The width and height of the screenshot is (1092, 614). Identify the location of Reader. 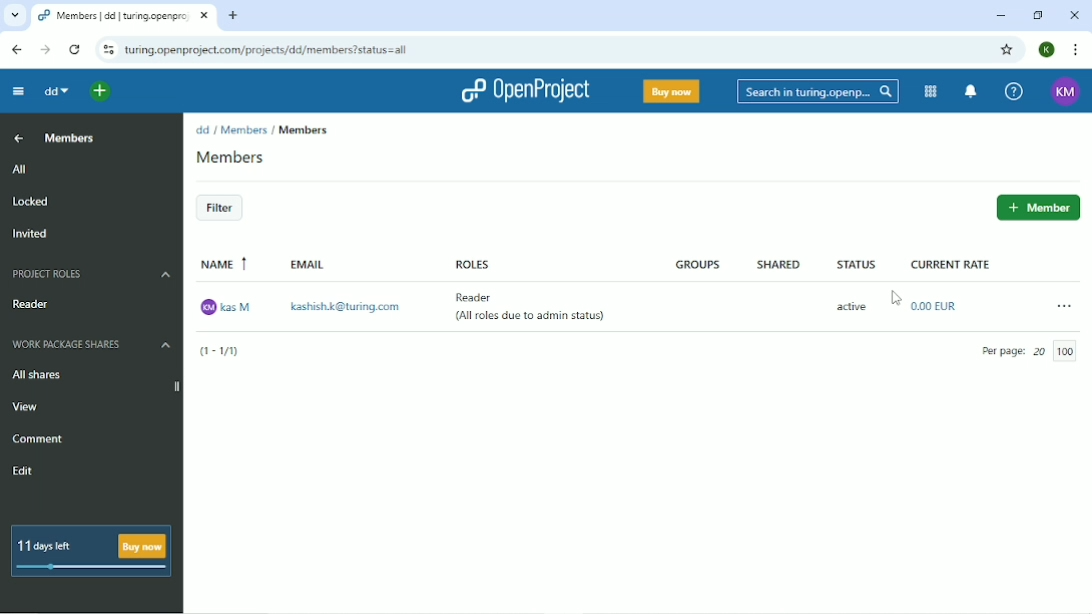
(35, 304).